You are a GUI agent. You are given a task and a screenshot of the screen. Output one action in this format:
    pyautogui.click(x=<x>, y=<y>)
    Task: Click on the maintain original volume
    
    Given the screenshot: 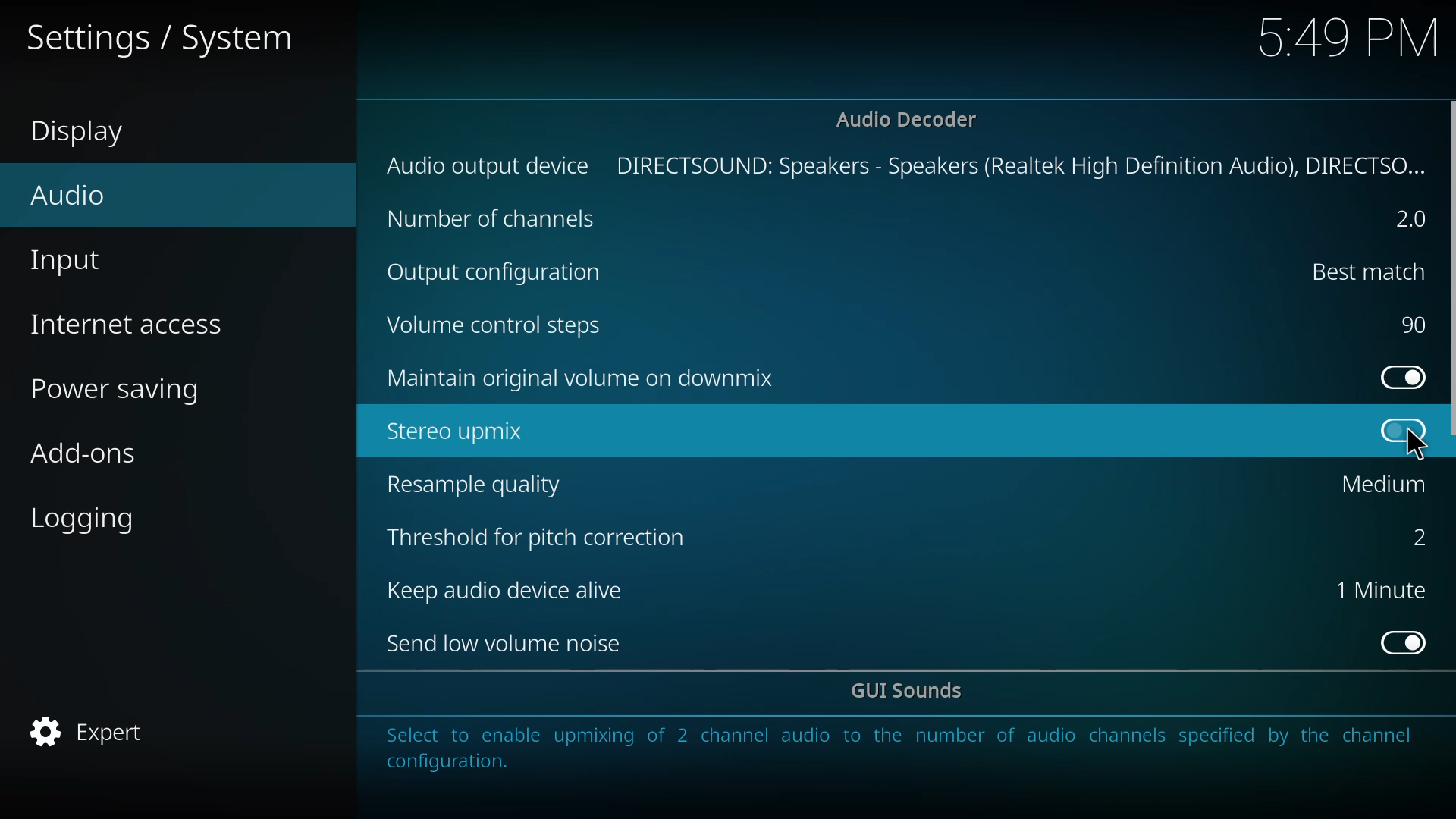 What is the action you would take?
    pyautogui.click(x=588, y=378)
    